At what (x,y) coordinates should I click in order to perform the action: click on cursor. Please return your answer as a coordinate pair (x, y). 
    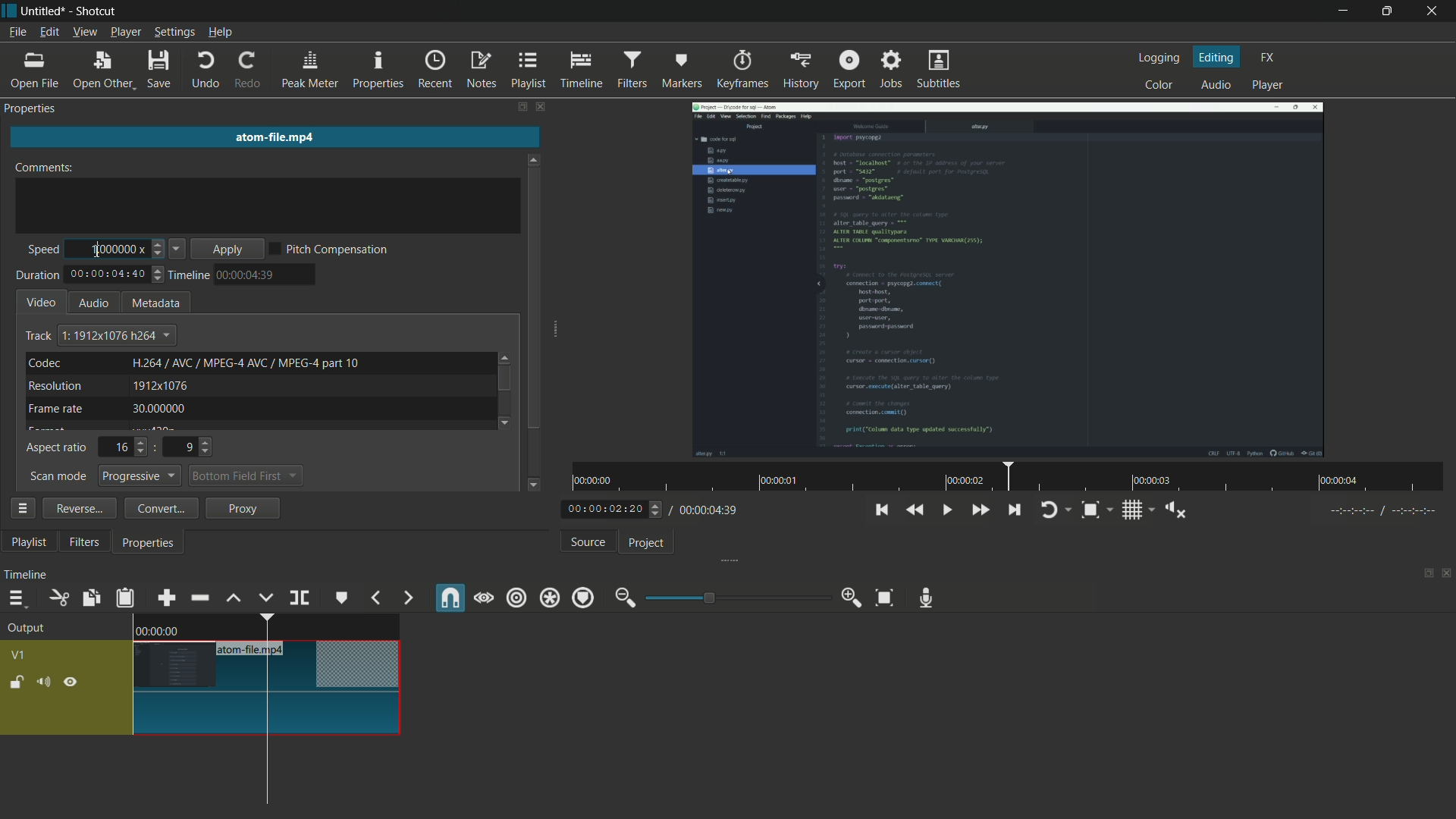
    Looking at the image, I should click on (252, 698).